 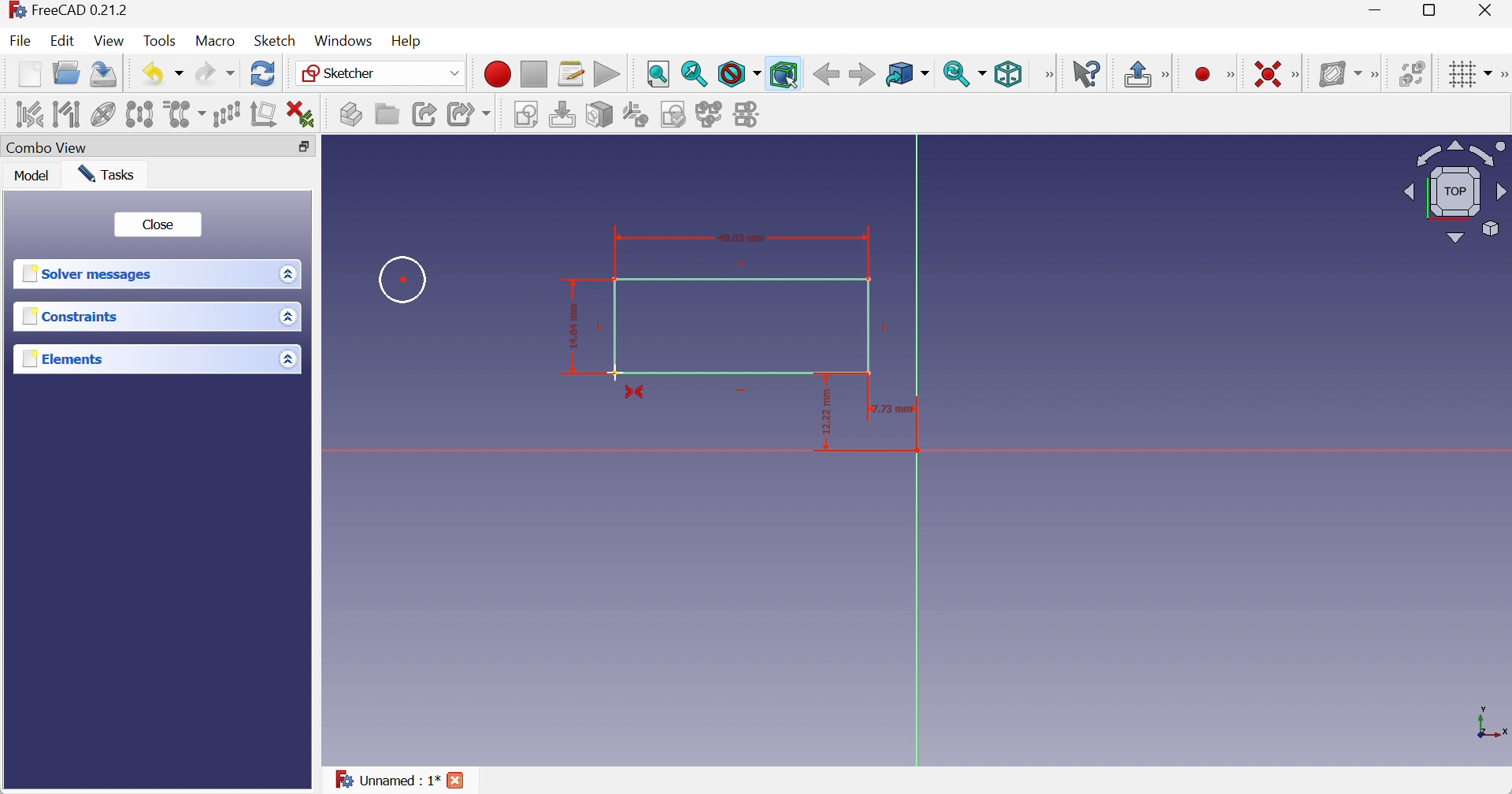 What do you see at coordinates (675, 114) in the screenshot?
I see `Validate sketch` at bounding box center [675, 114].